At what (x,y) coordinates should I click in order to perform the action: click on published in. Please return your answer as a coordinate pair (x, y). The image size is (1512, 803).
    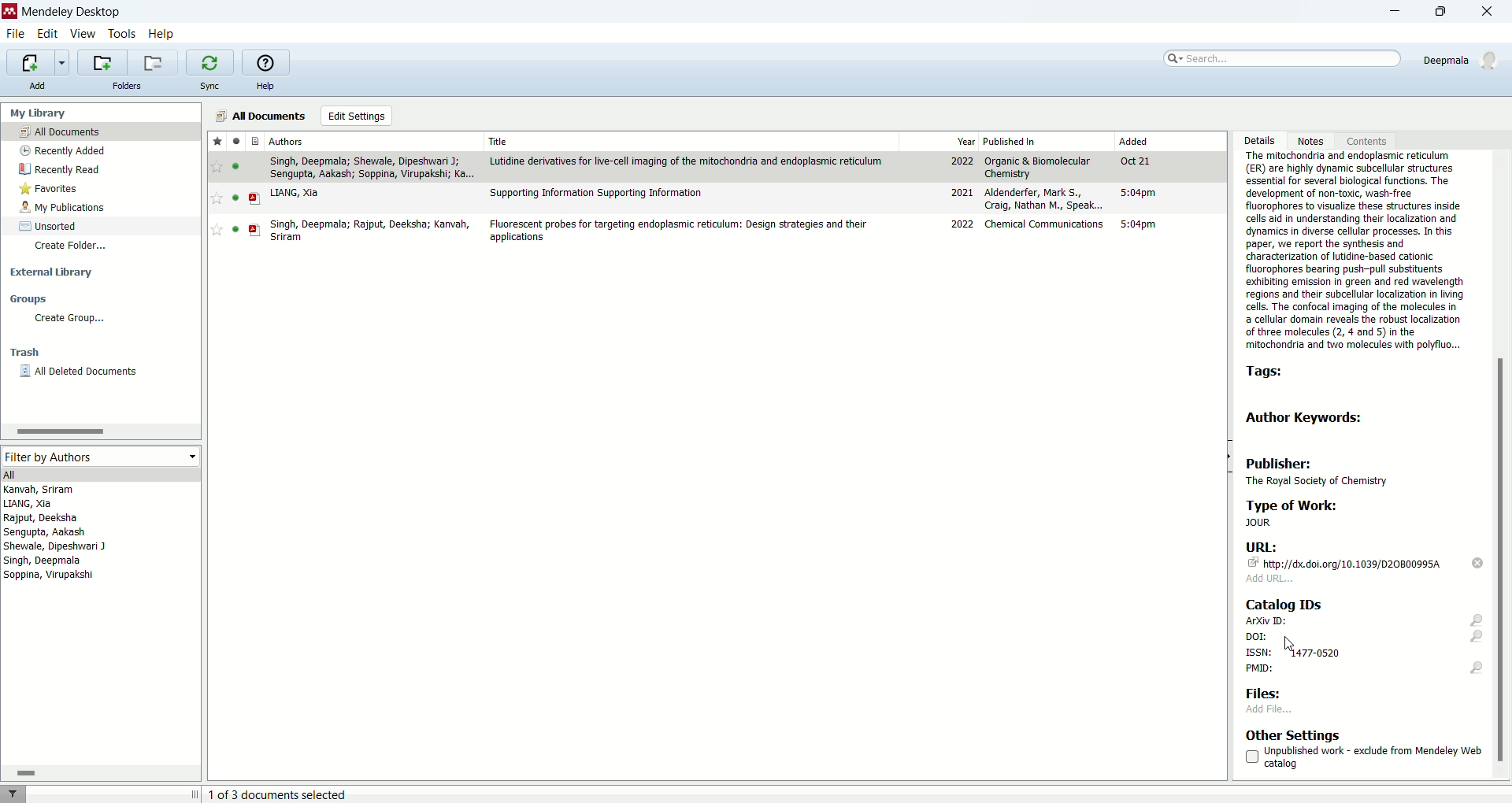
    Looking at the image, I should click on (1010, 141).